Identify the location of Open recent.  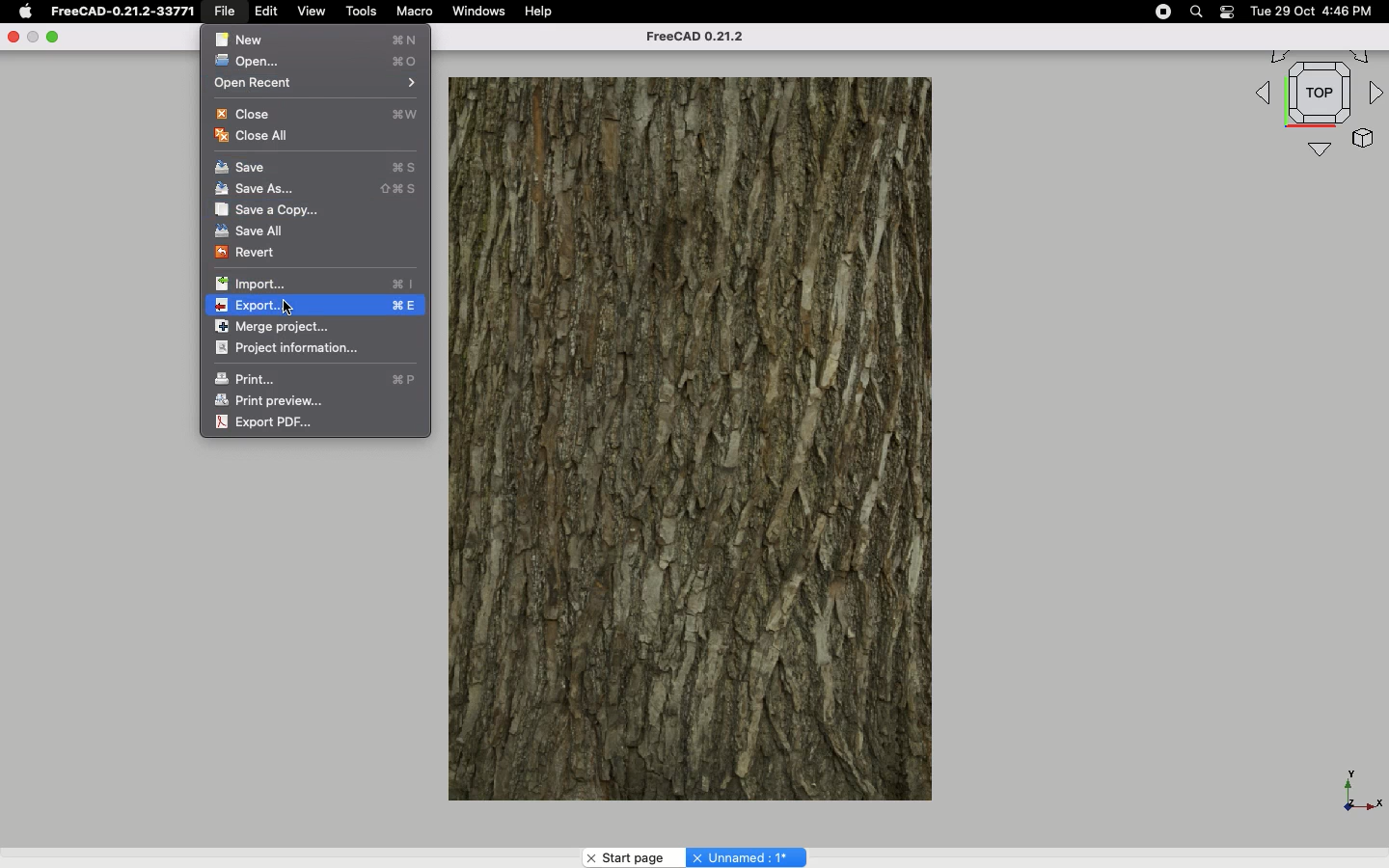
(311, 84).